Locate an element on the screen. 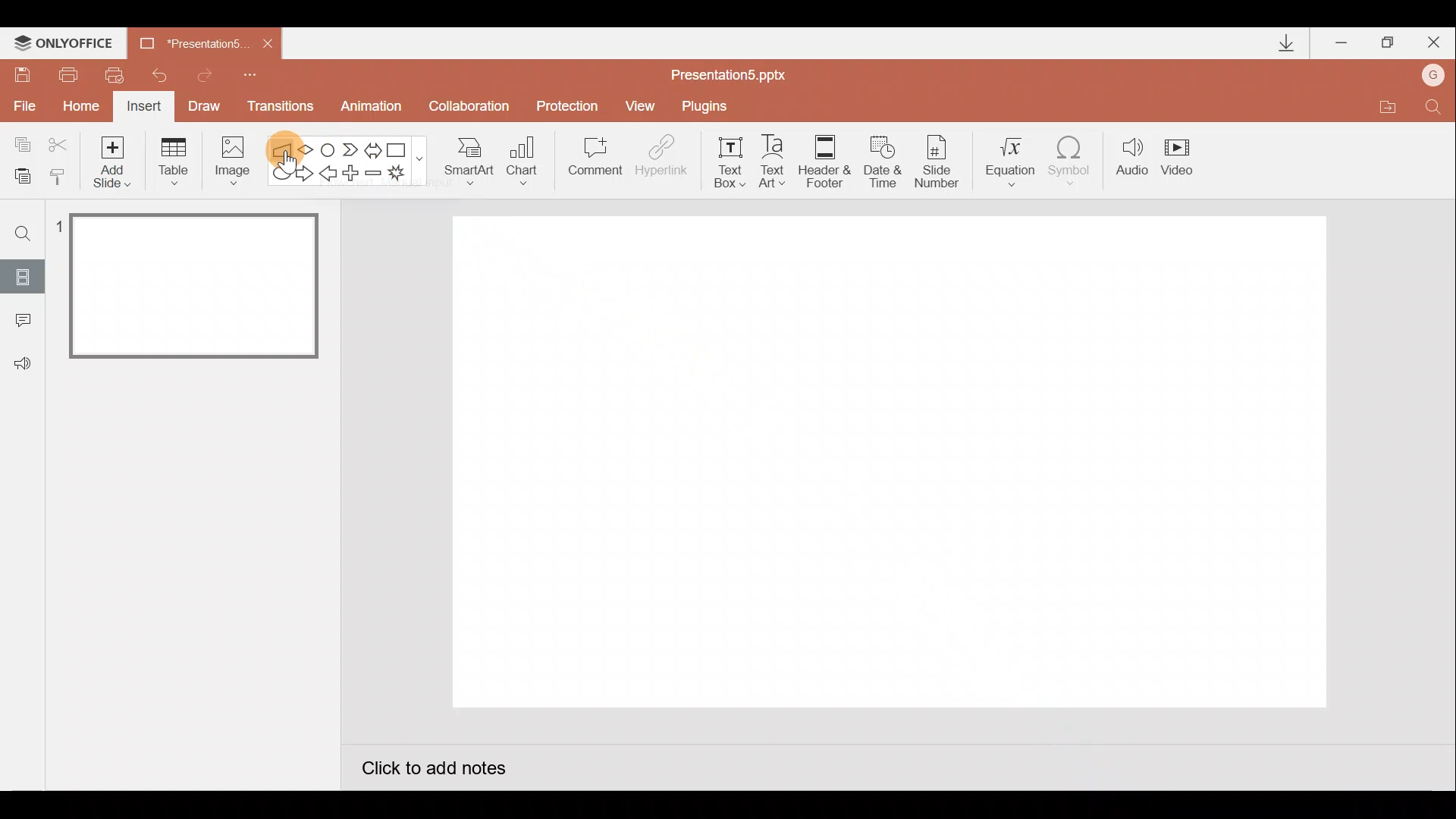 This screenshot has width=1456, height=819. Flowchart-connector is located at coordinates (329, 149).